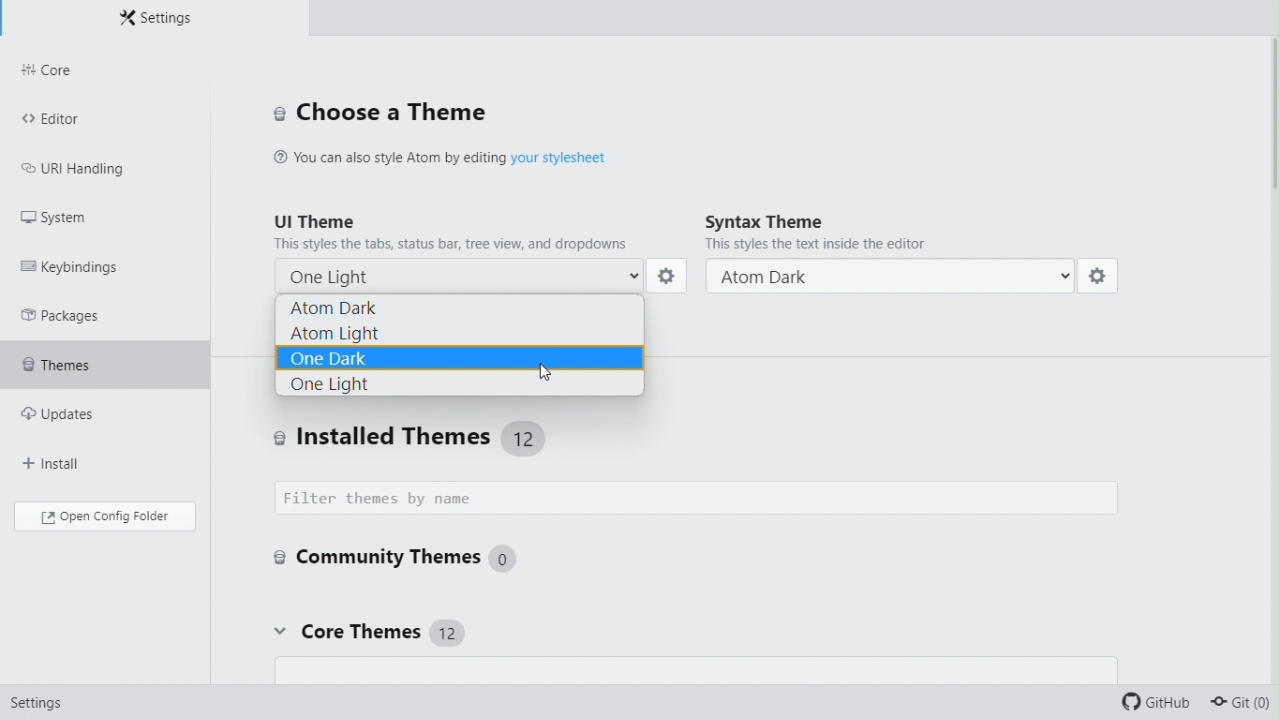 The image size is (1280, 720). I want to click on Core themes, so click(366, 632).